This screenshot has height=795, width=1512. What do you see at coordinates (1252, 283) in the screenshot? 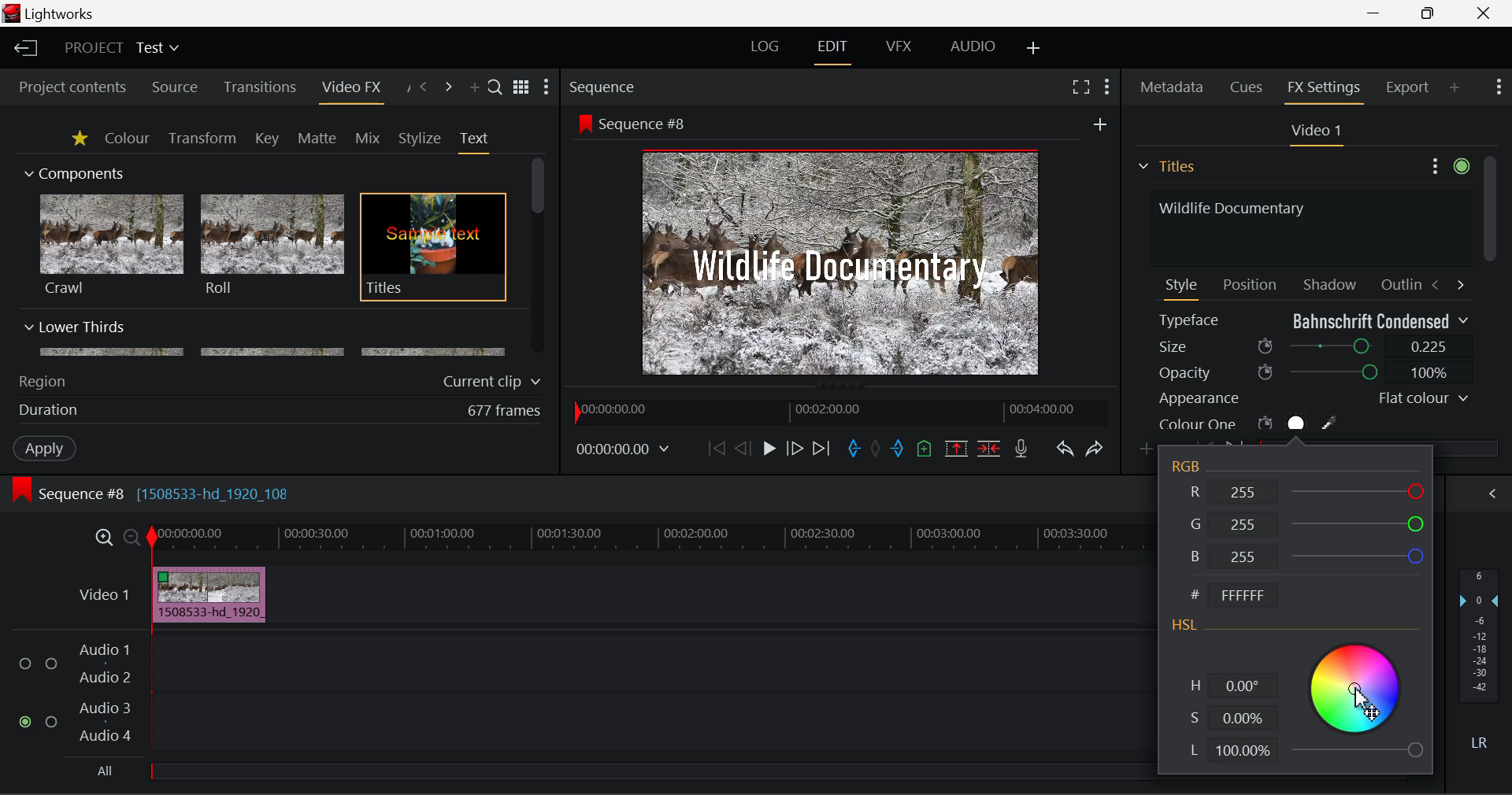
I see `Position` at bounding box center [1252, 283].